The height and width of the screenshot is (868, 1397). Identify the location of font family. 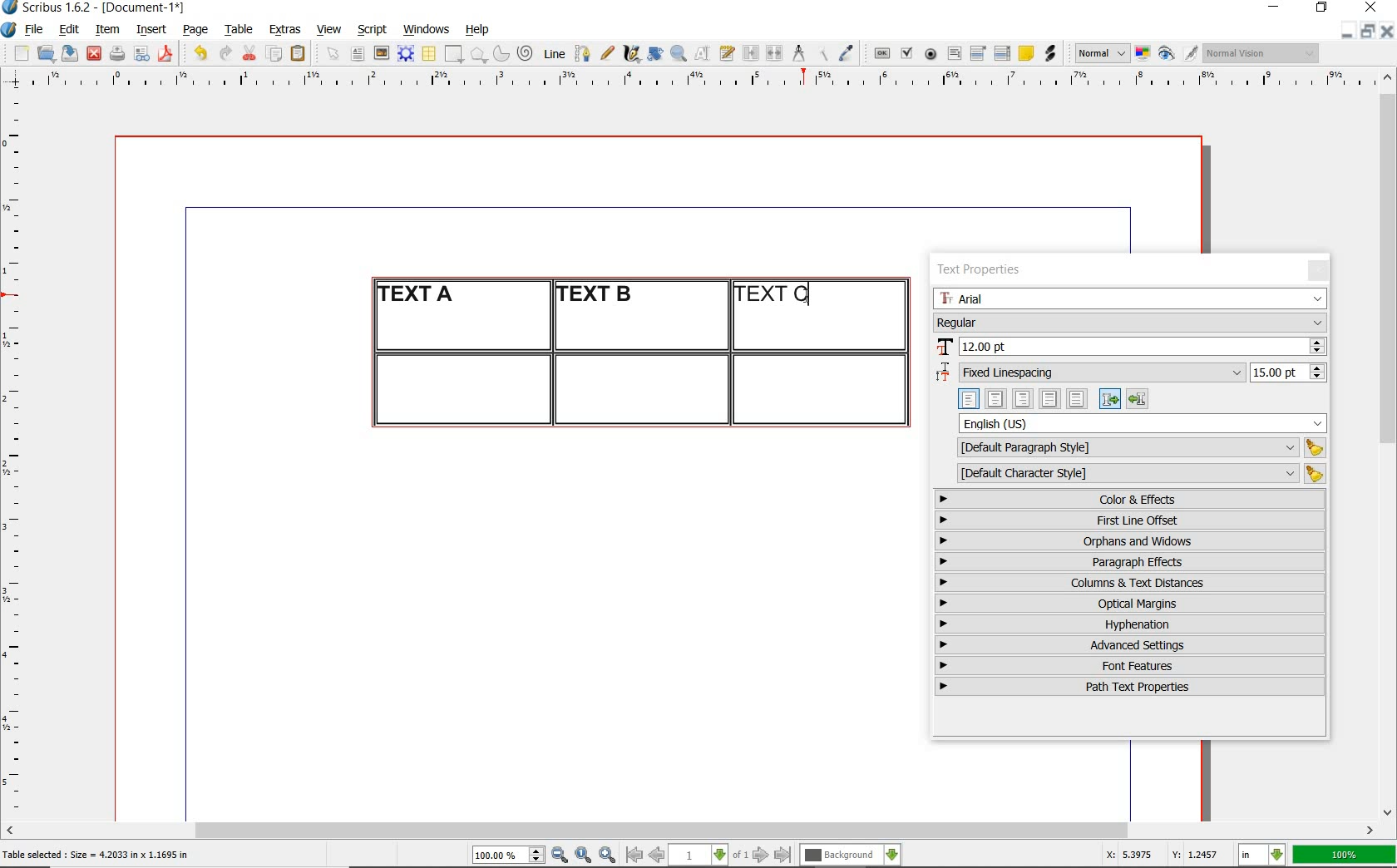
(1132, 298).